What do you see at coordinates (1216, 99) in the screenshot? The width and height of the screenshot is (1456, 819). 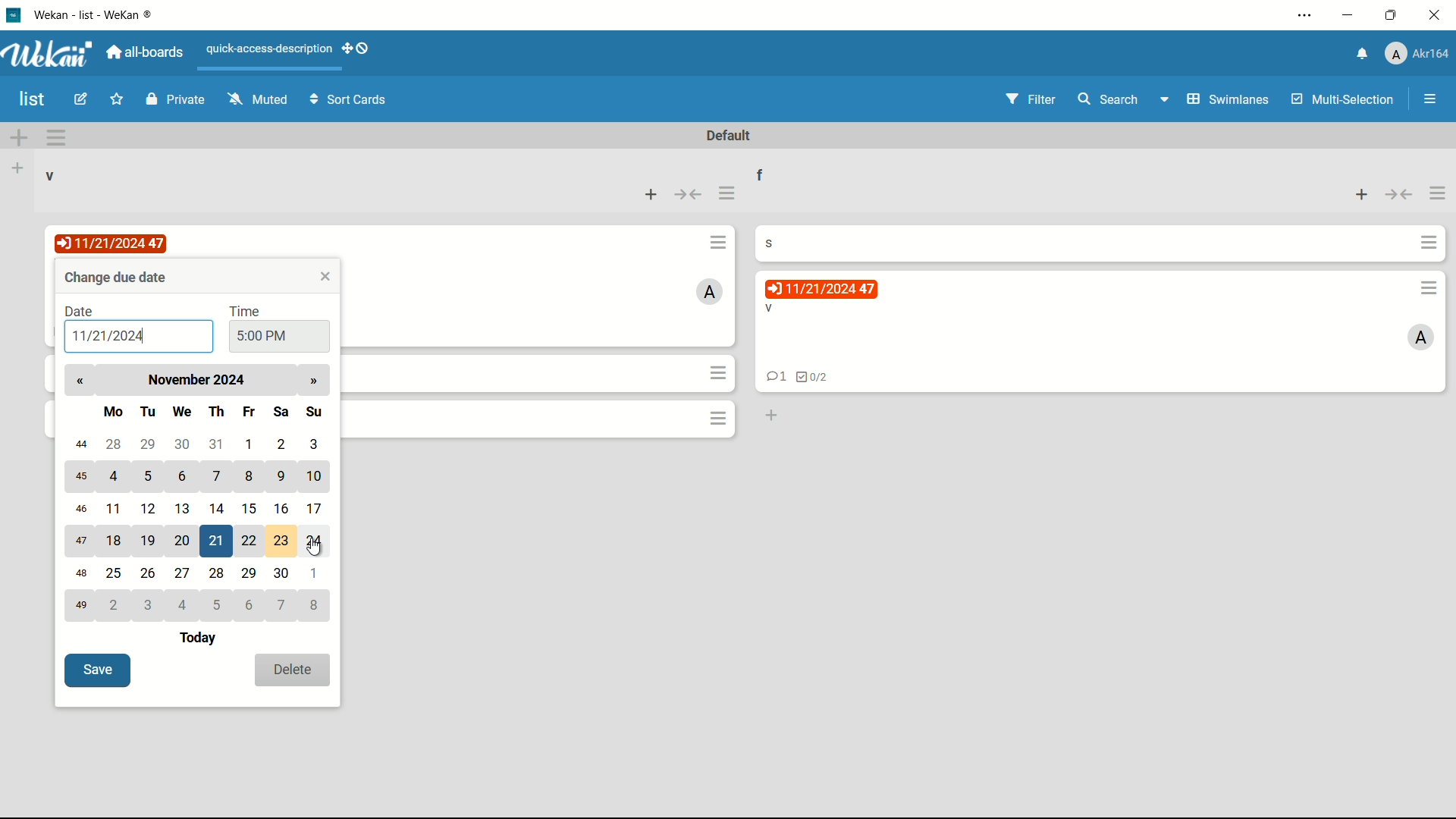 I see `swimlanes` at bounding box center [1216, 99].